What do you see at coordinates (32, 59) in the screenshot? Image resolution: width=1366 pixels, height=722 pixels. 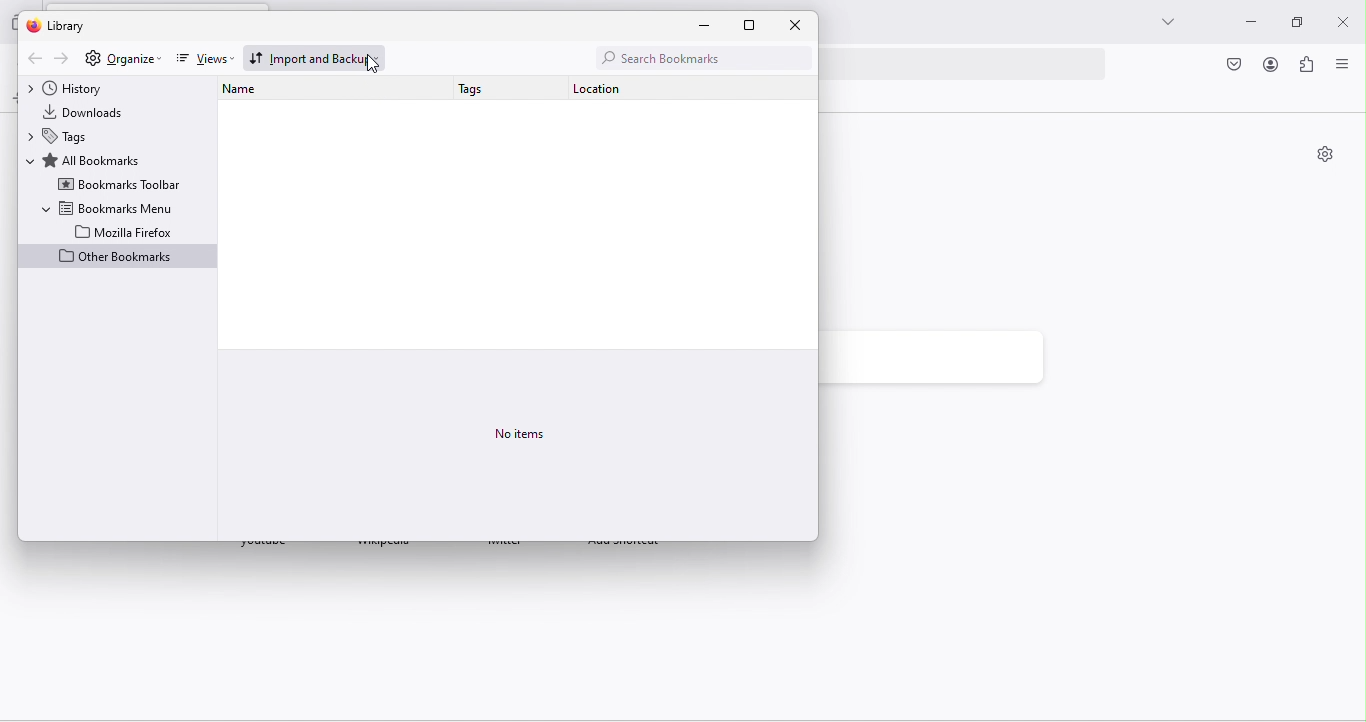 I see `back` at bounding box center [32, 59].